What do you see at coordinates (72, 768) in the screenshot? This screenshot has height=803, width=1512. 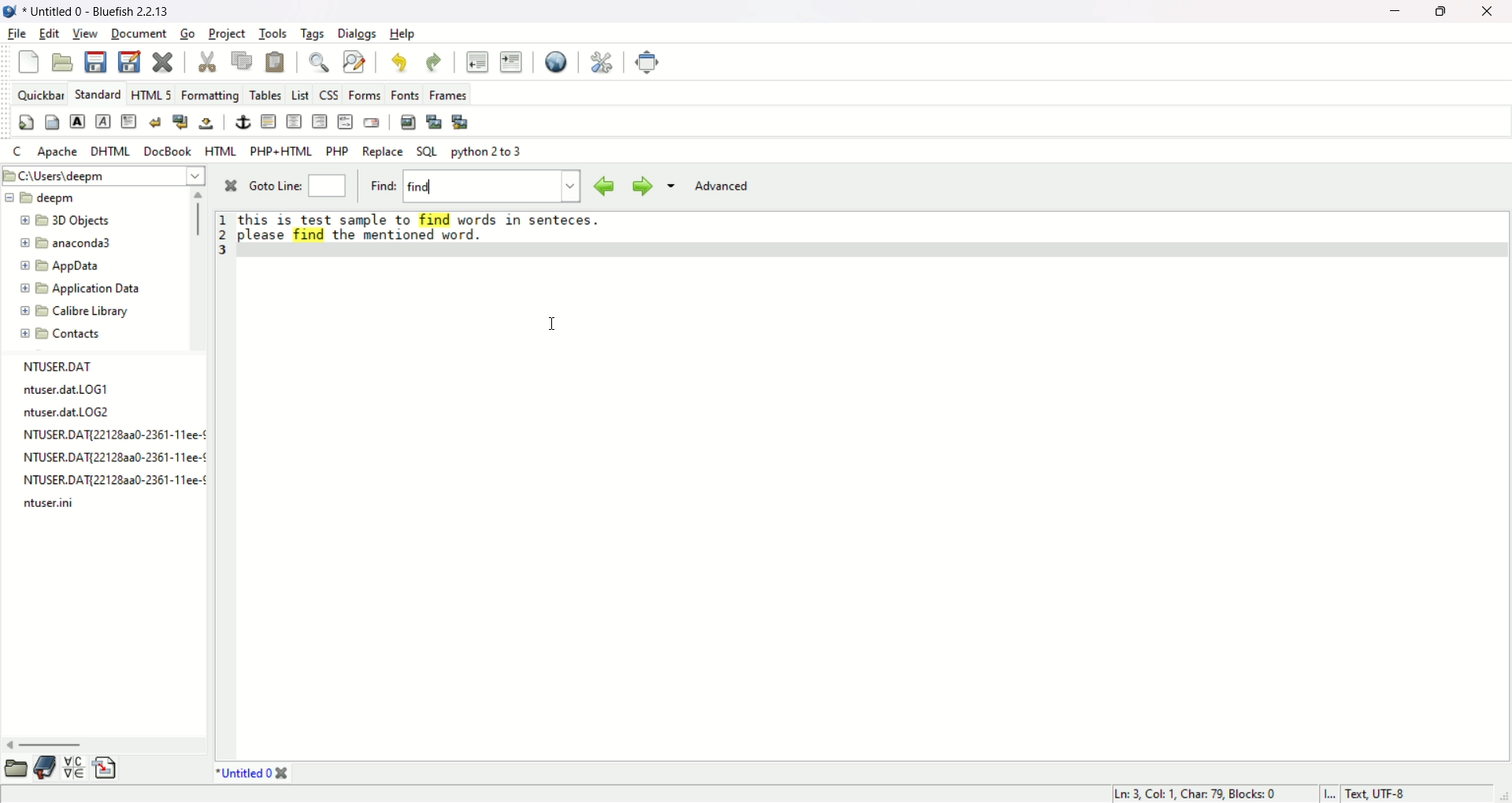 I see `insert character` at bounding box center [72, 768].